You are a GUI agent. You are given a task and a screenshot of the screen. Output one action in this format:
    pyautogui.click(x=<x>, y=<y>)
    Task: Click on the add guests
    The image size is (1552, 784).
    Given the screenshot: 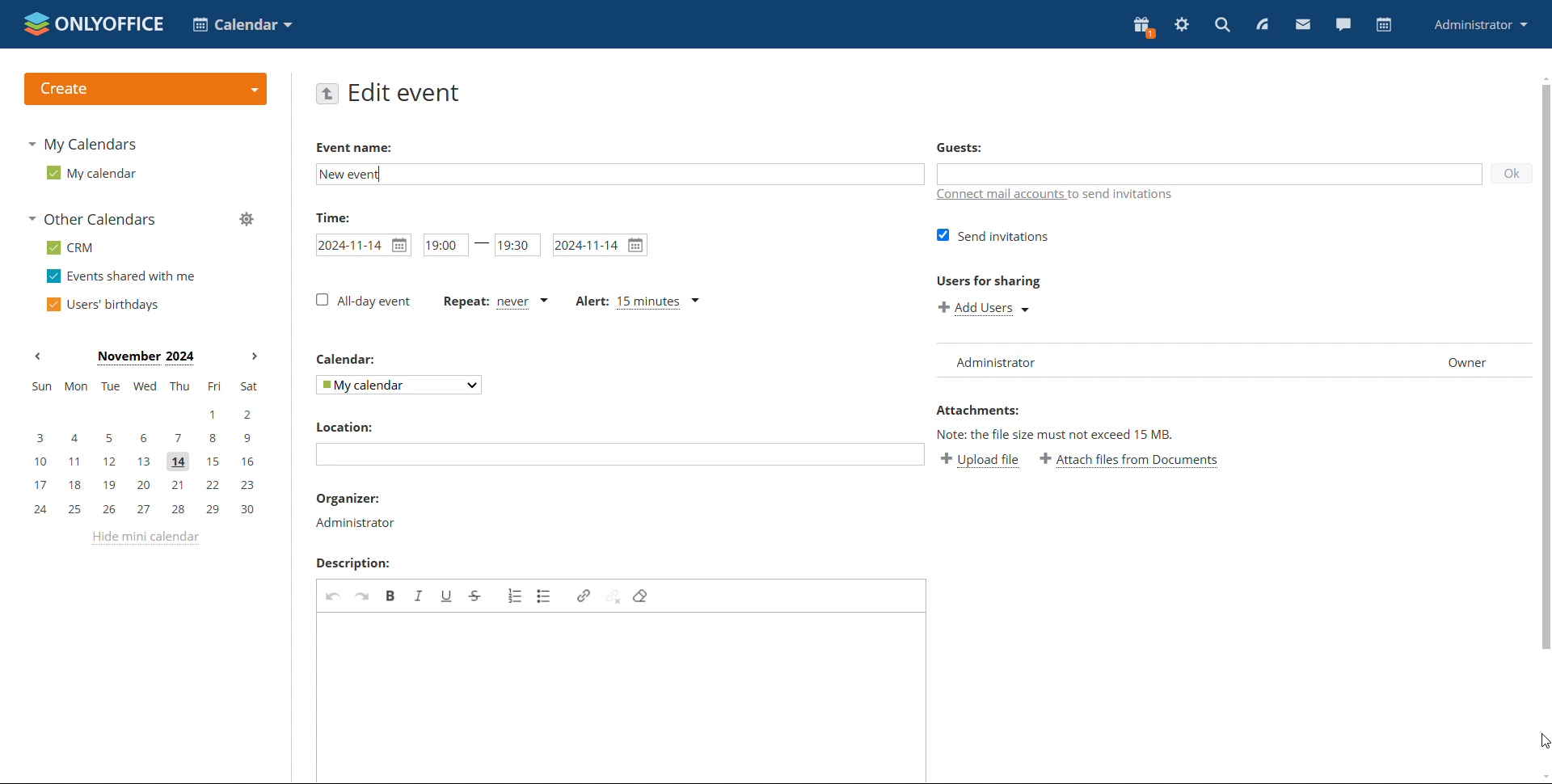 What is the action you would take?
    pyautogui.click(x=1211, y=172)
    